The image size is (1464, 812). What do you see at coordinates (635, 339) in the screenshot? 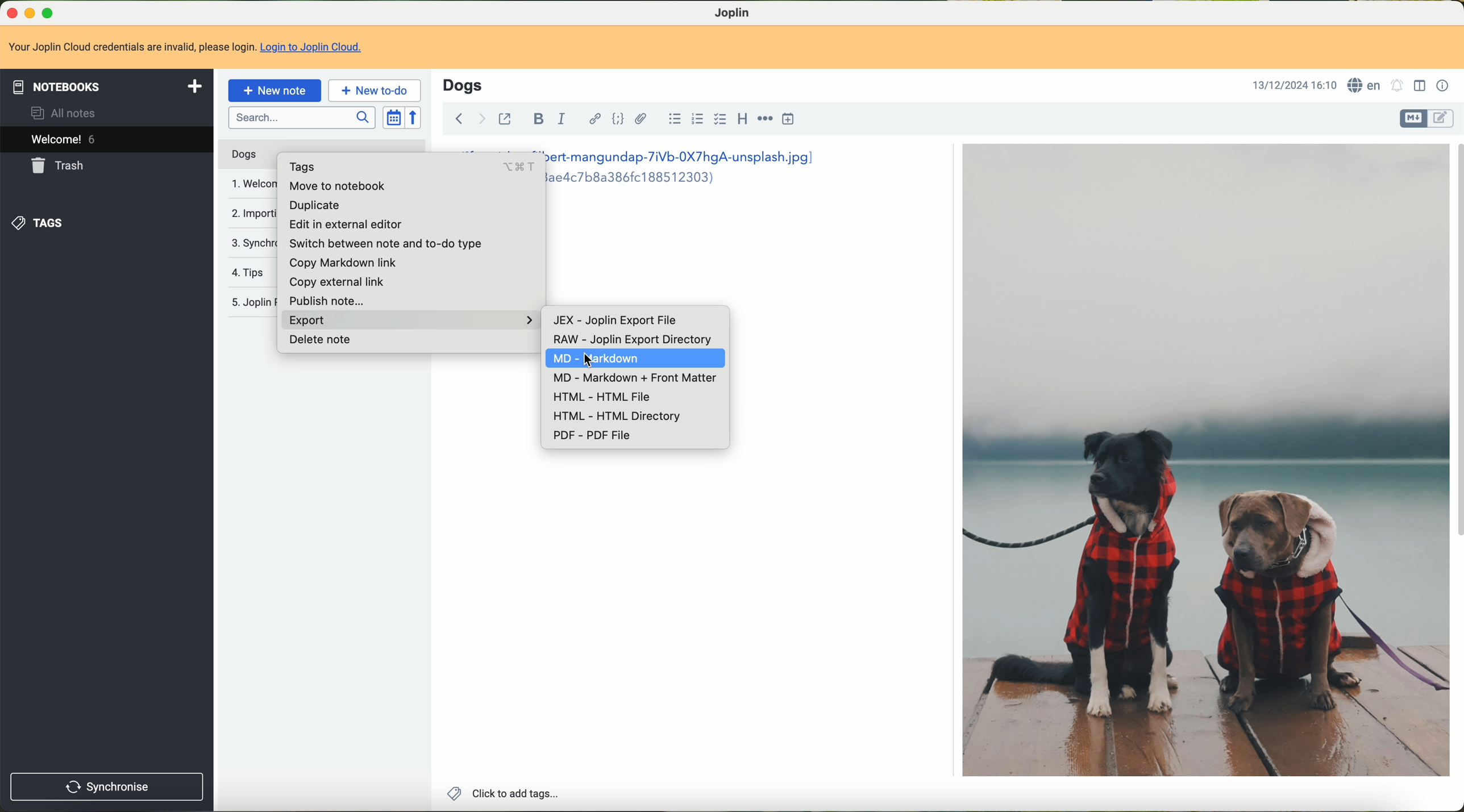
I see `RAW - Joplin Export Directory` at bounding box center [635, 339].